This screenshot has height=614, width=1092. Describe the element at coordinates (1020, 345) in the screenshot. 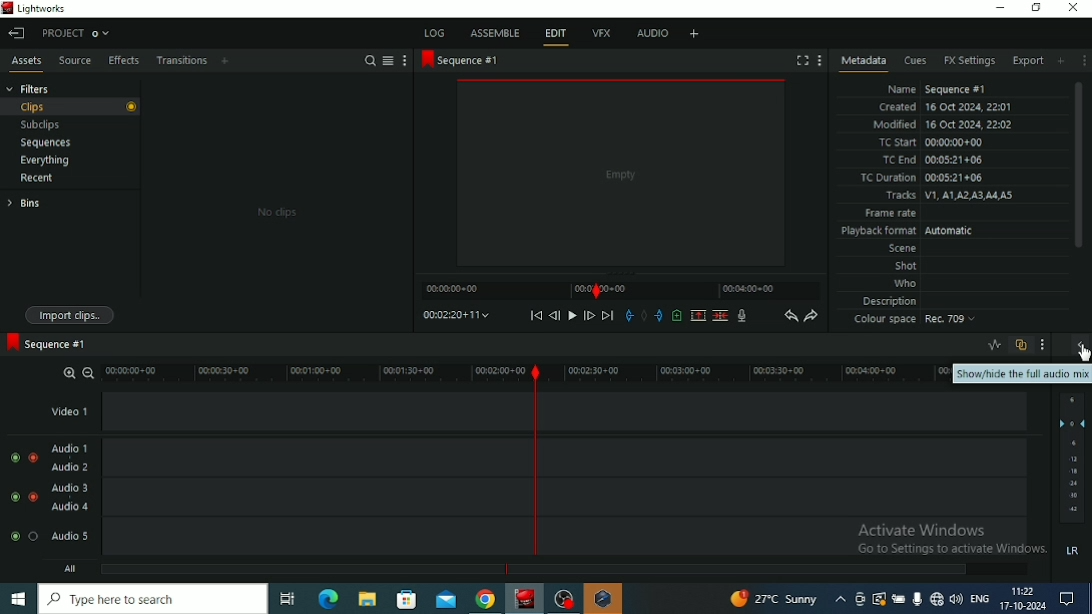

I see `Toggle auto track sync` at that location.